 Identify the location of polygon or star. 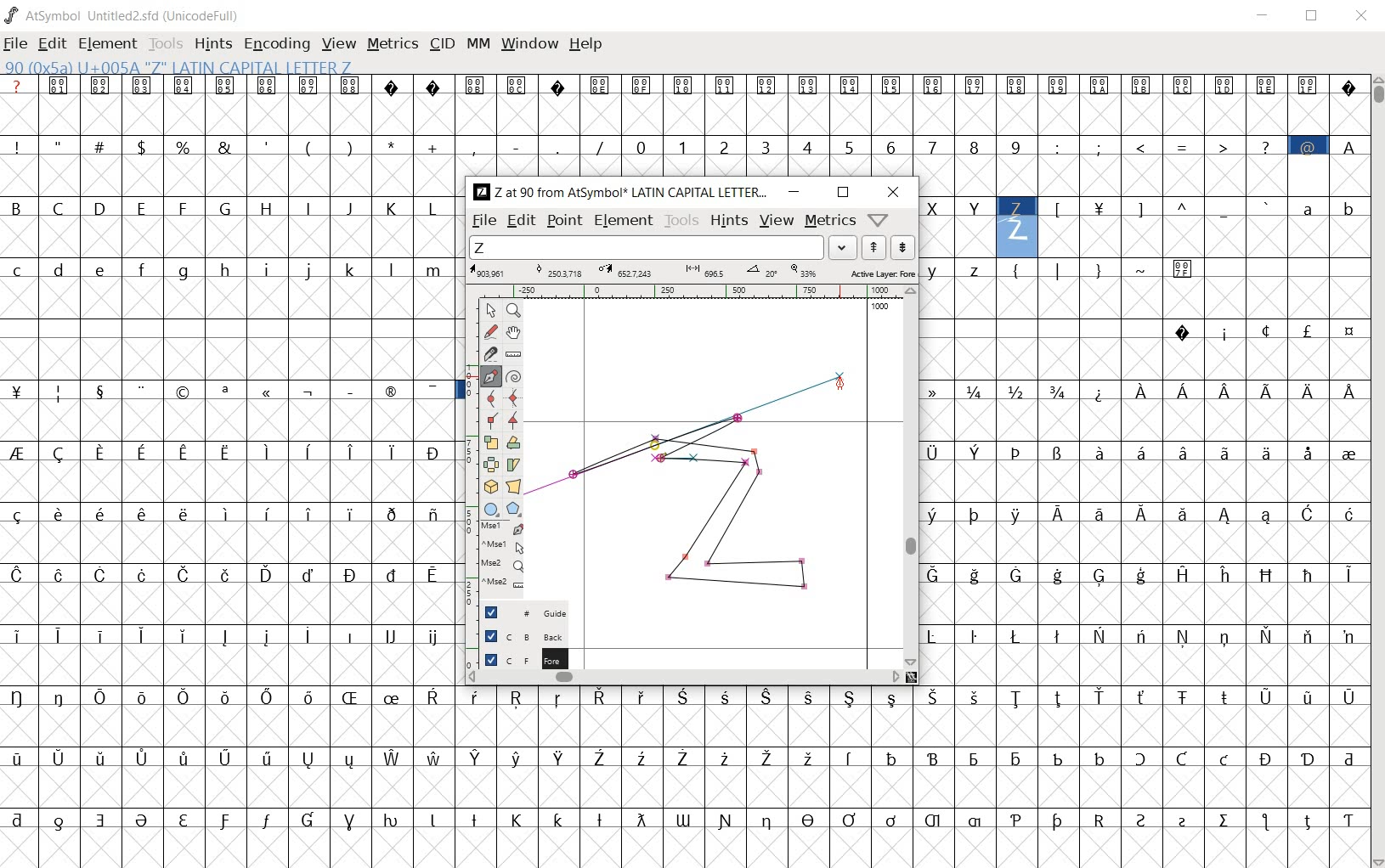
(514, 510).